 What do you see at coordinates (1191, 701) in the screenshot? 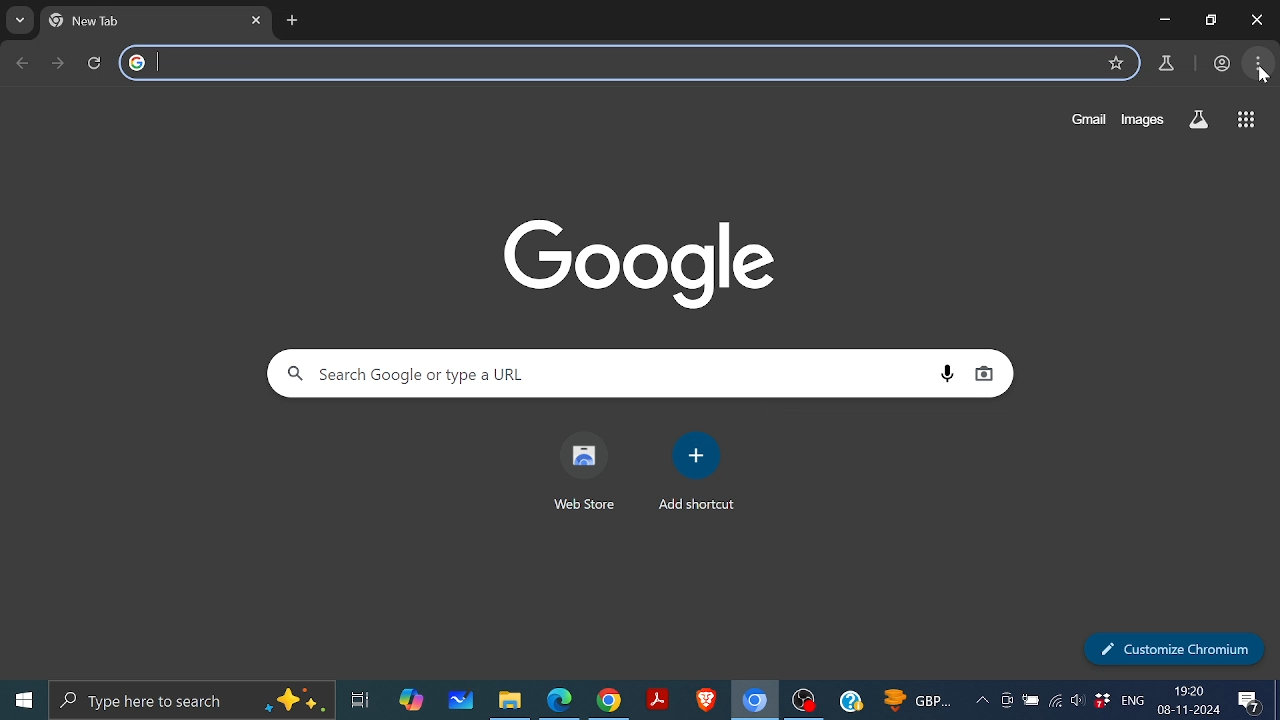
I see `19:20 08-11-2024` at bounding box center [1191, 701].